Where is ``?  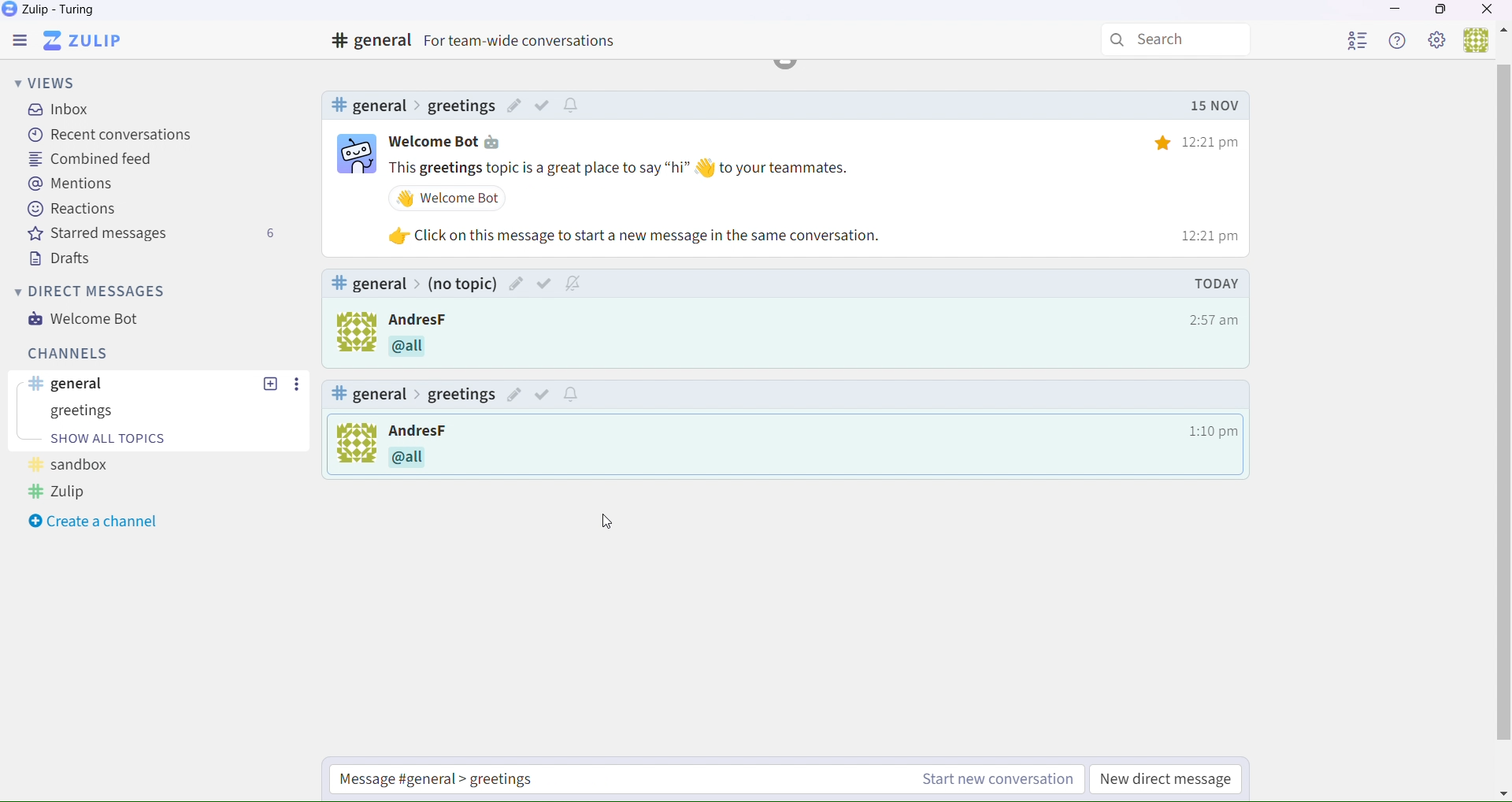  is located at coordinates (1503, 32).